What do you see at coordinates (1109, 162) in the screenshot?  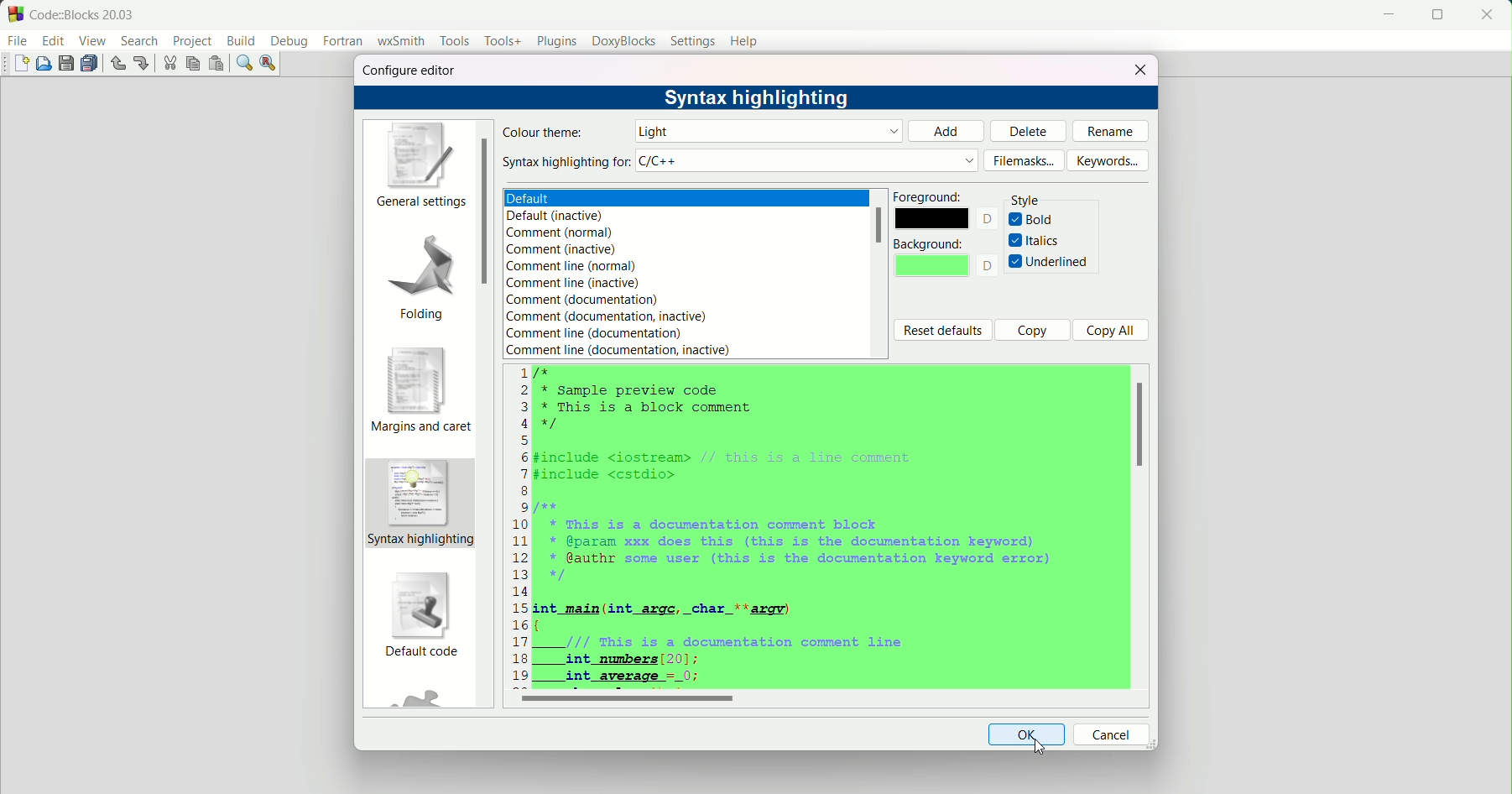 I see `keywords` at bounding box center [1109, 162].